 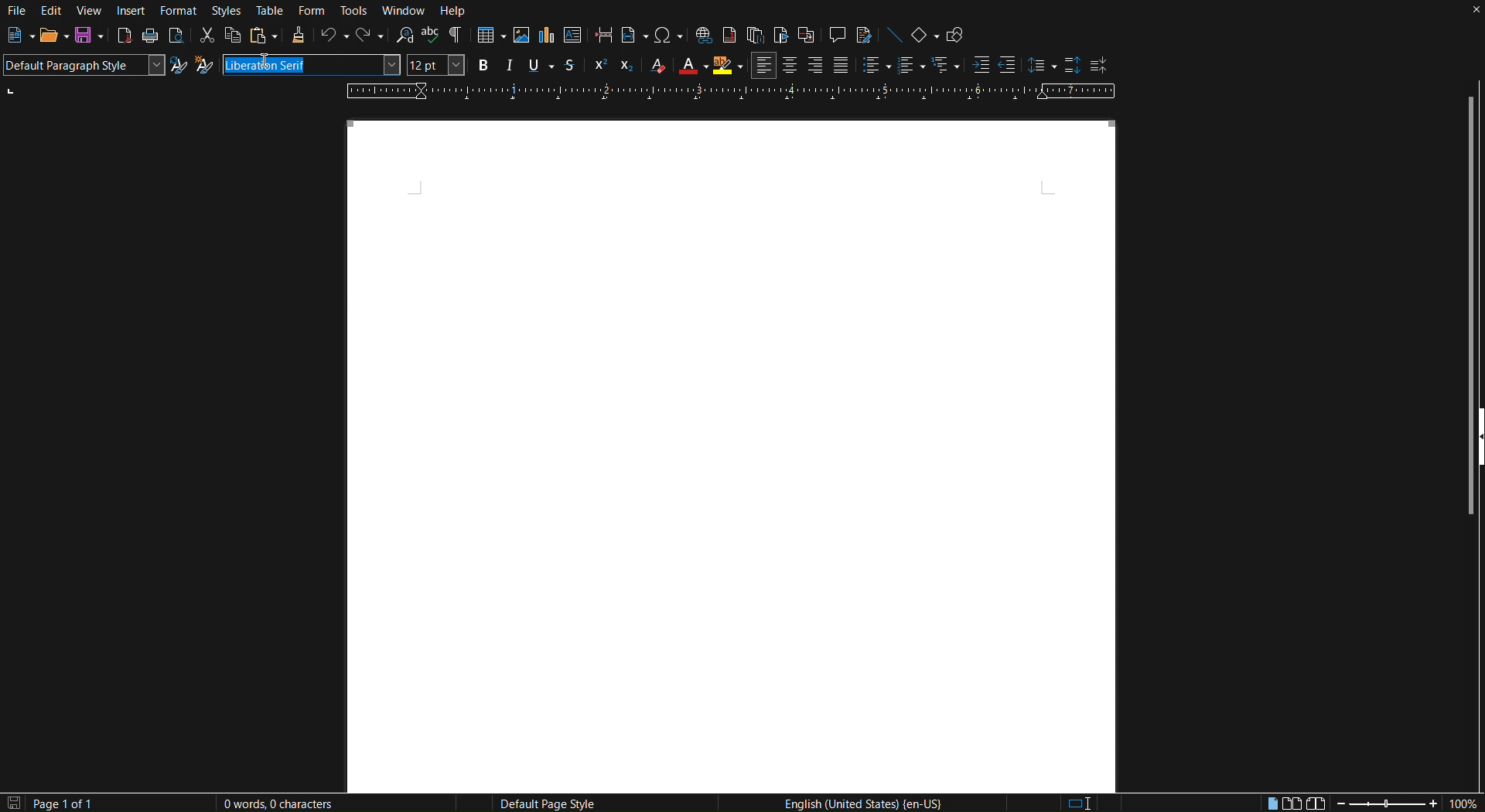 I want to click on Scrollbar, so click(x=1472, y=239).